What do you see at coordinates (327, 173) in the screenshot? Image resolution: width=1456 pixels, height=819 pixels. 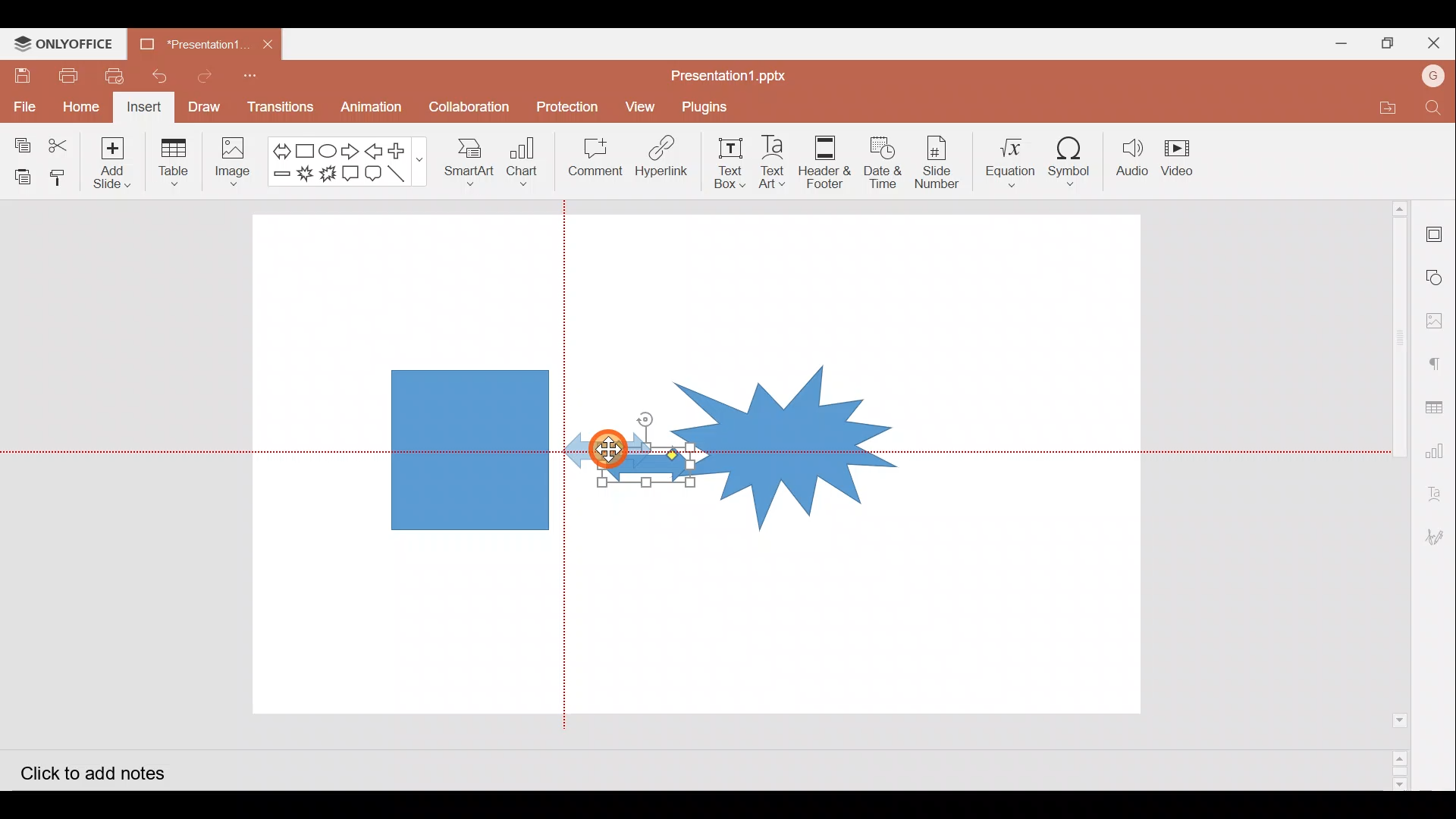 I see `Explosion 2` at bounding box center [327, 173].